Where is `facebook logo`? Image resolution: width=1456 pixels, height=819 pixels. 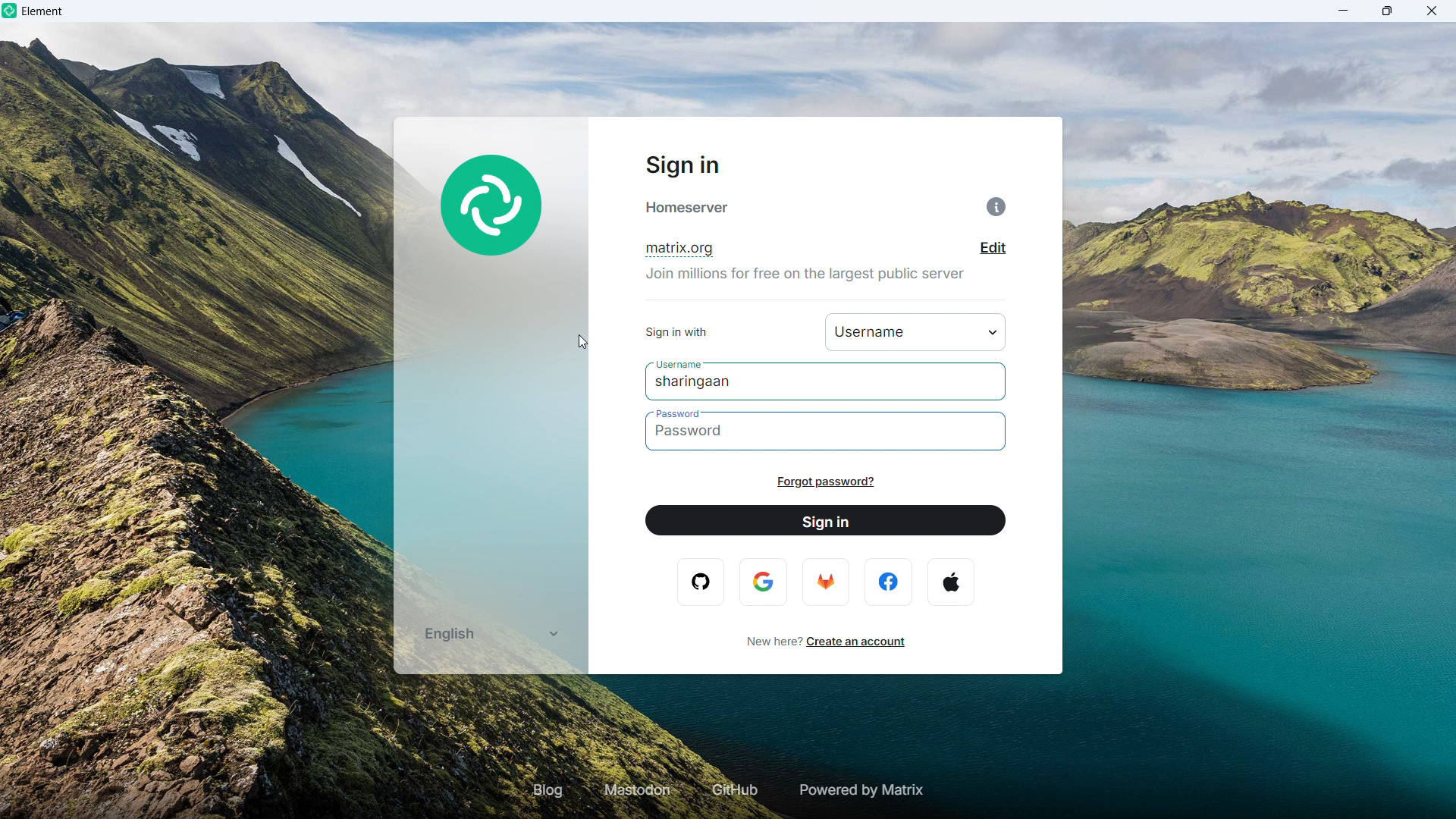 facebook logo is located at coordinates (890, 582).